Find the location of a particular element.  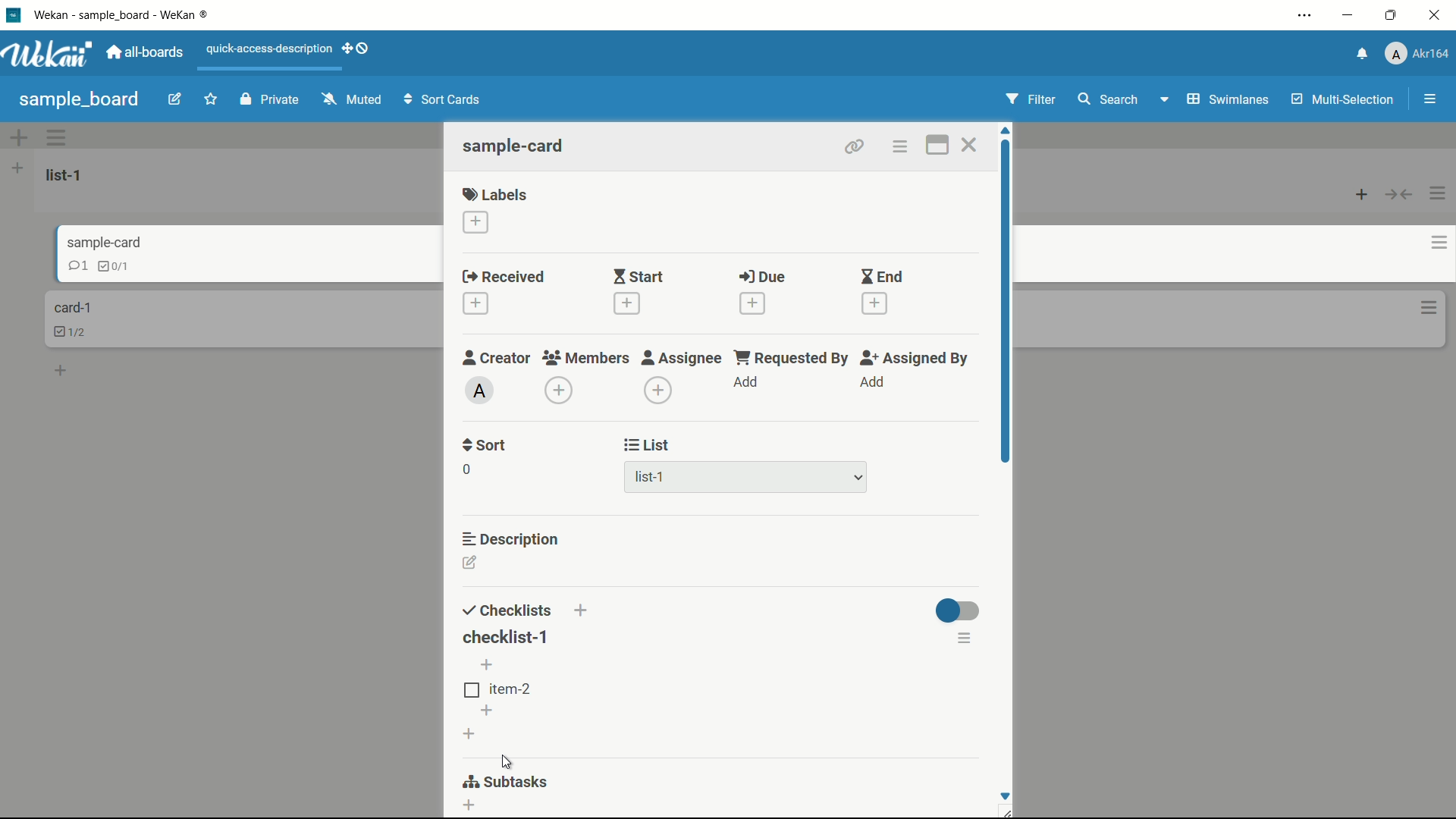

close card is located at coordinates (970, 144).